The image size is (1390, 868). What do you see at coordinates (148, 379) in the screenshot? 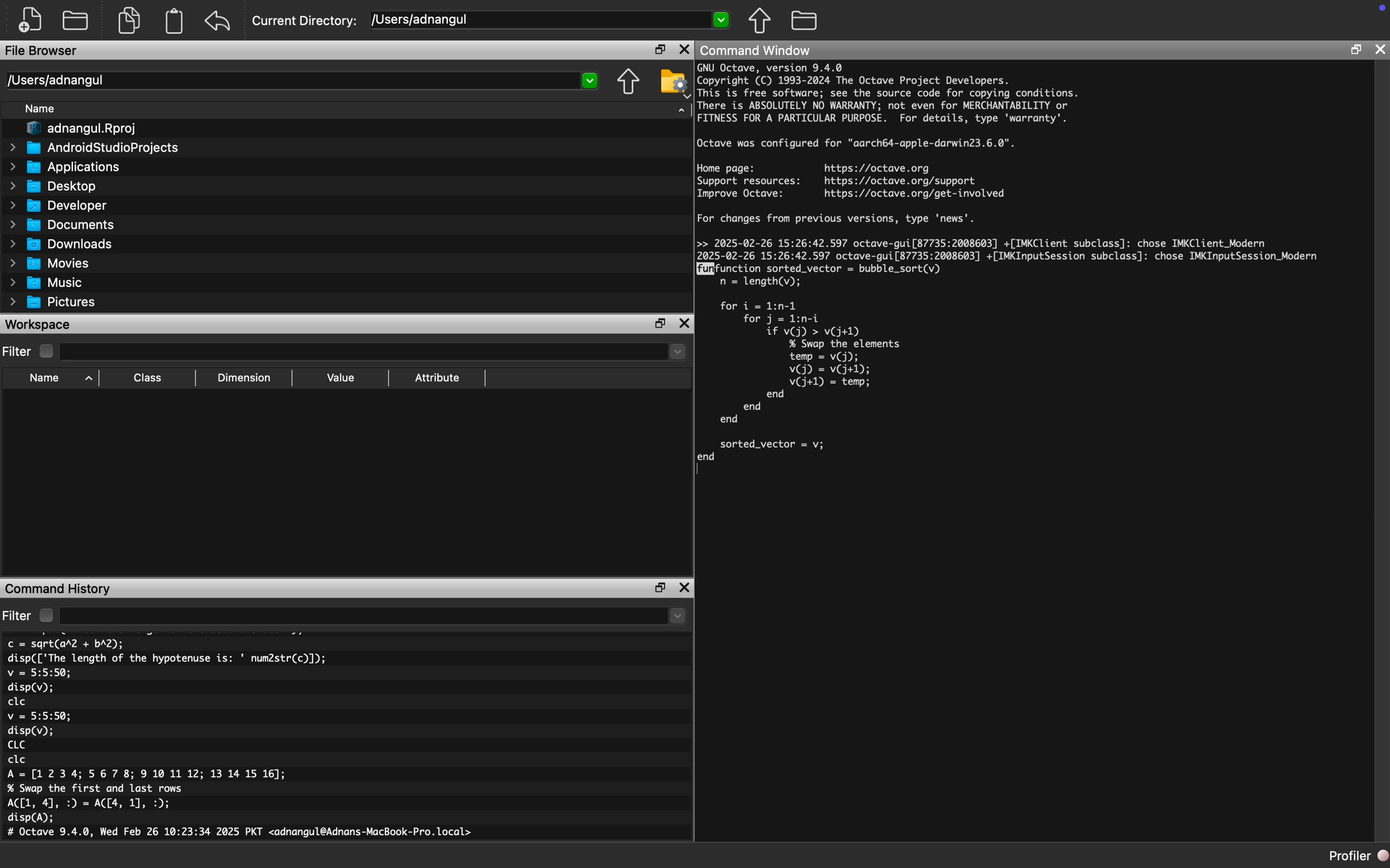
I see `Class` at bounding box center [148, 379].